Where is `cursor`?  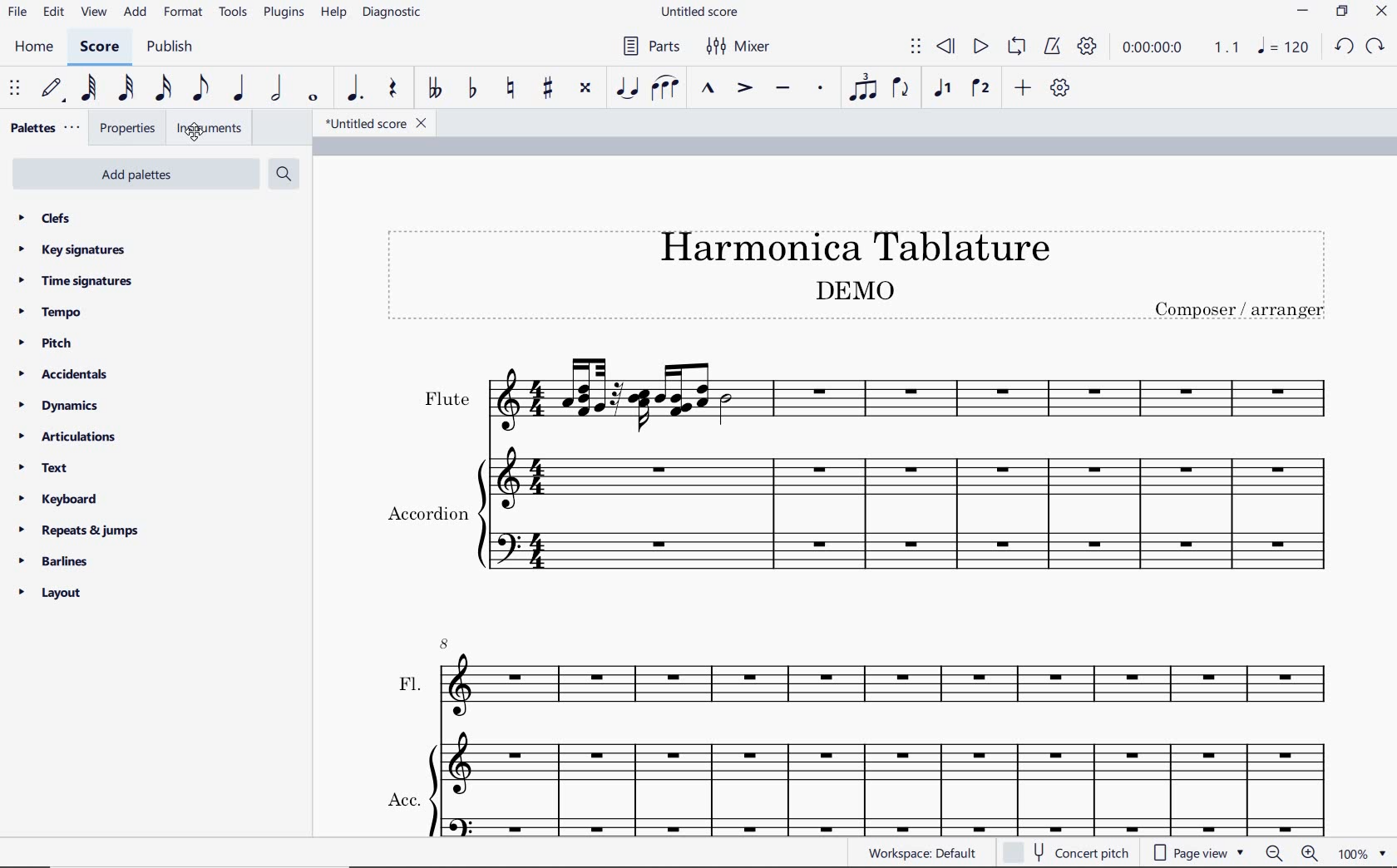
cursor is located at coordinates (190, 132).